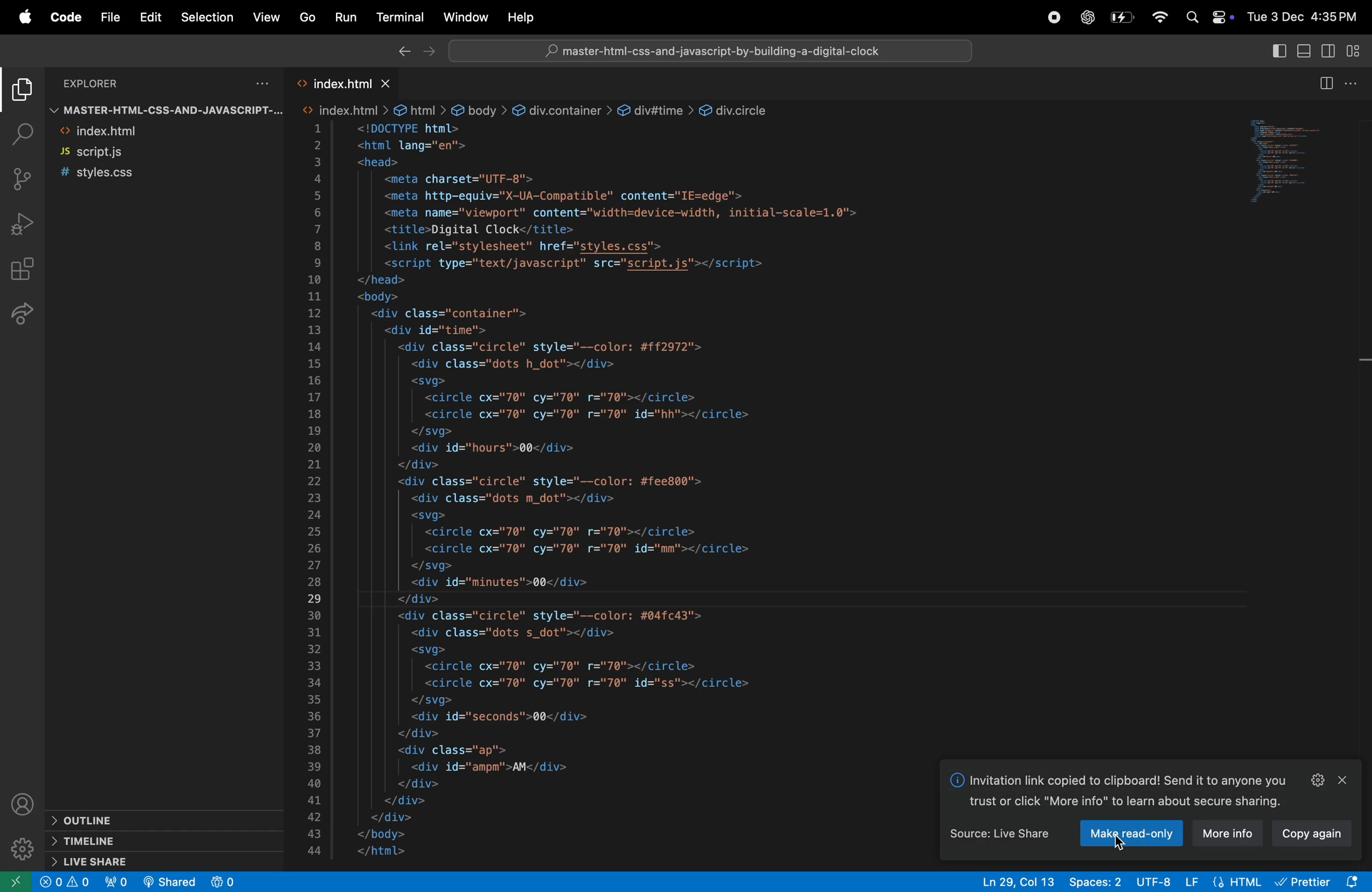 This screenshot has width=1372, height=892. Describe the element at coordinates (1313, 779) in the screenshot. I see `settings` at that location.